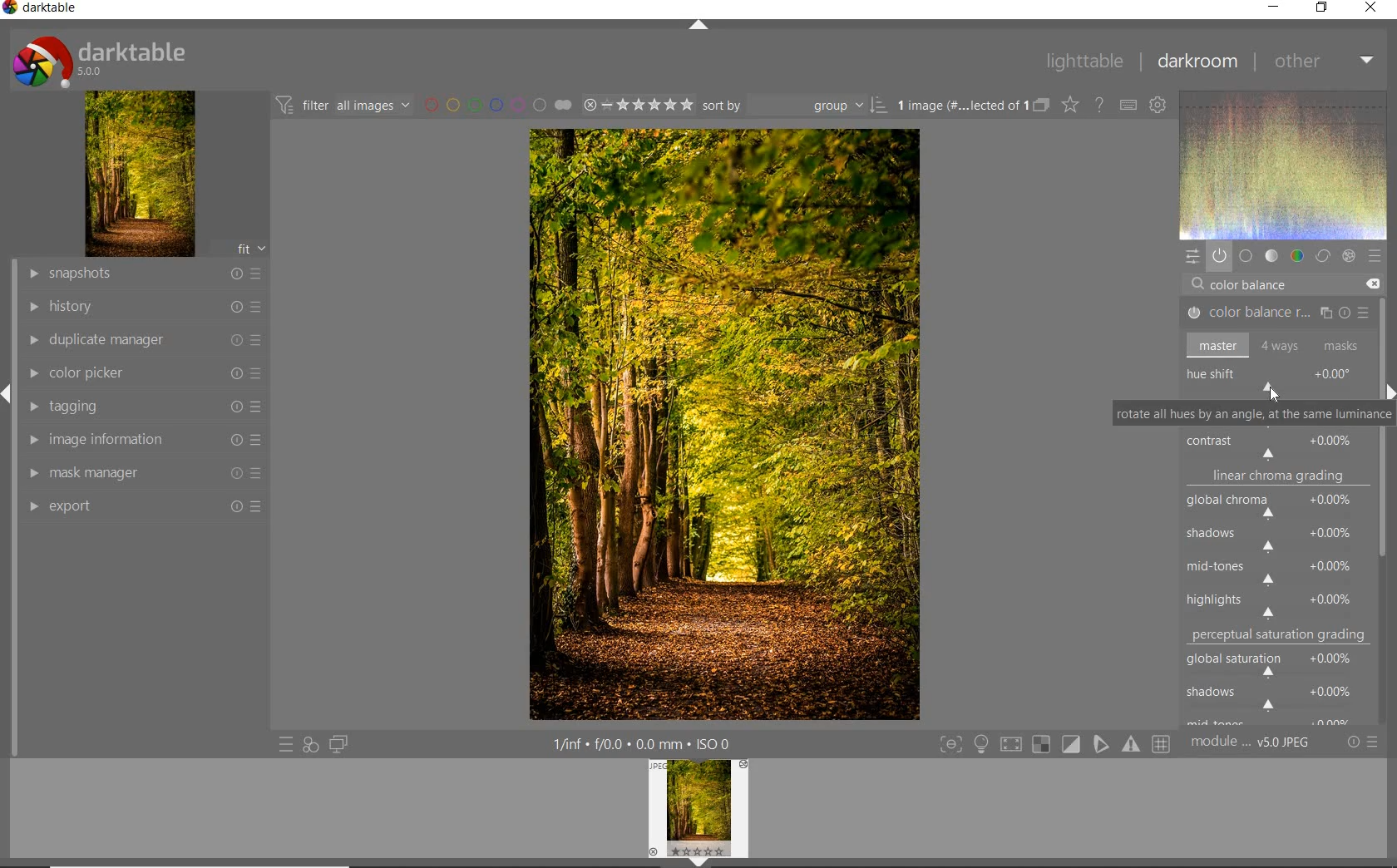  What do you see at coordinates (311, 745) in the screenshot?
I see `quick access for applying any style` at bounding box center [311, 745].